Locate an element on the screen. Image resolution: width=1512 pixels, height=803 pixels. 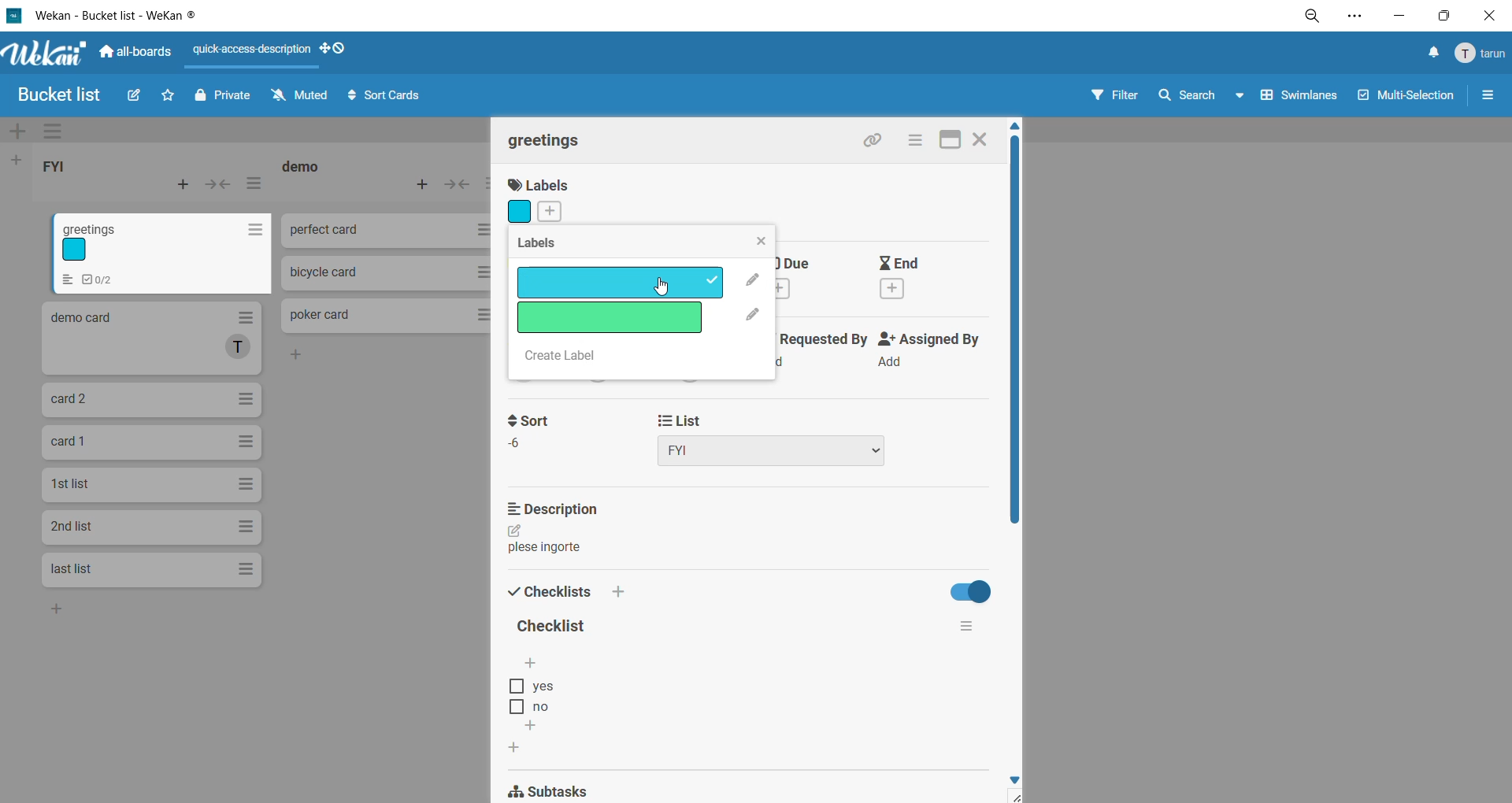
sort cards is located at coordinates (390, 97).